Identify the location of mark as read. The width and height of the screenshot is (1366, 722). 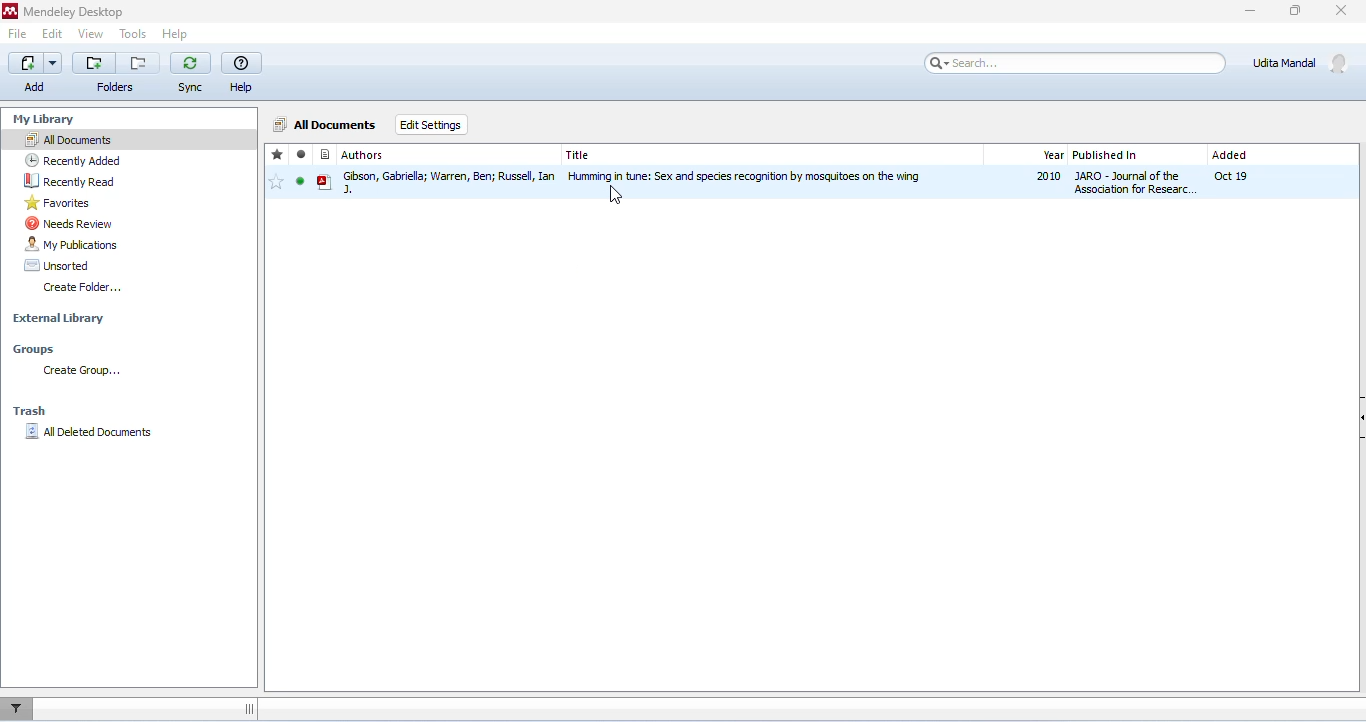
(301, 180).